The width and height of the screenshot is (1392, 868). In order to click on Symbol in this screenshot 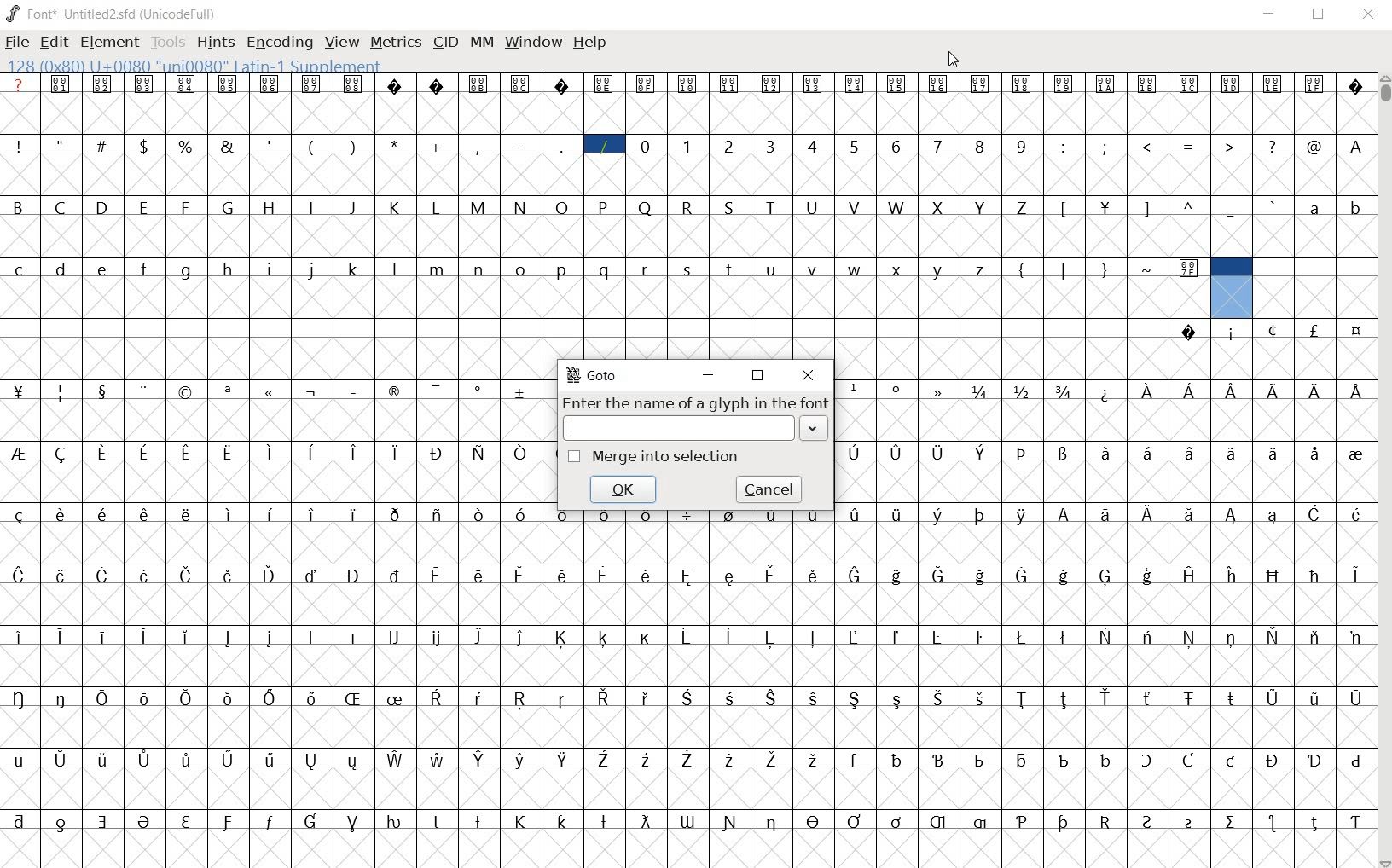, I will do `click(357, 761)`.